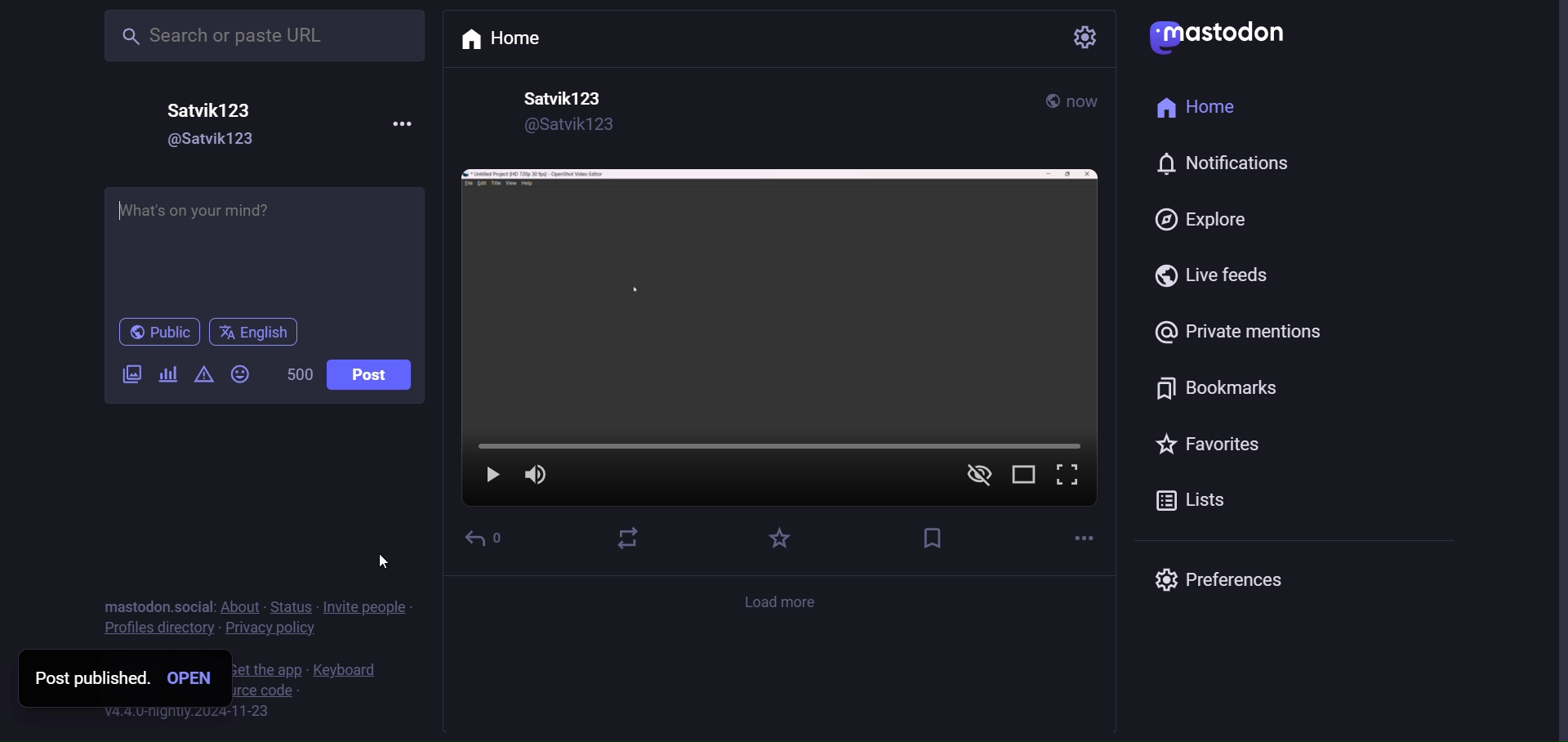 This screenshot has height=742, width=1568. What do you see at coordinates (193, 606) in the screenshot?
I see `social` at bounding box center [193, 606].